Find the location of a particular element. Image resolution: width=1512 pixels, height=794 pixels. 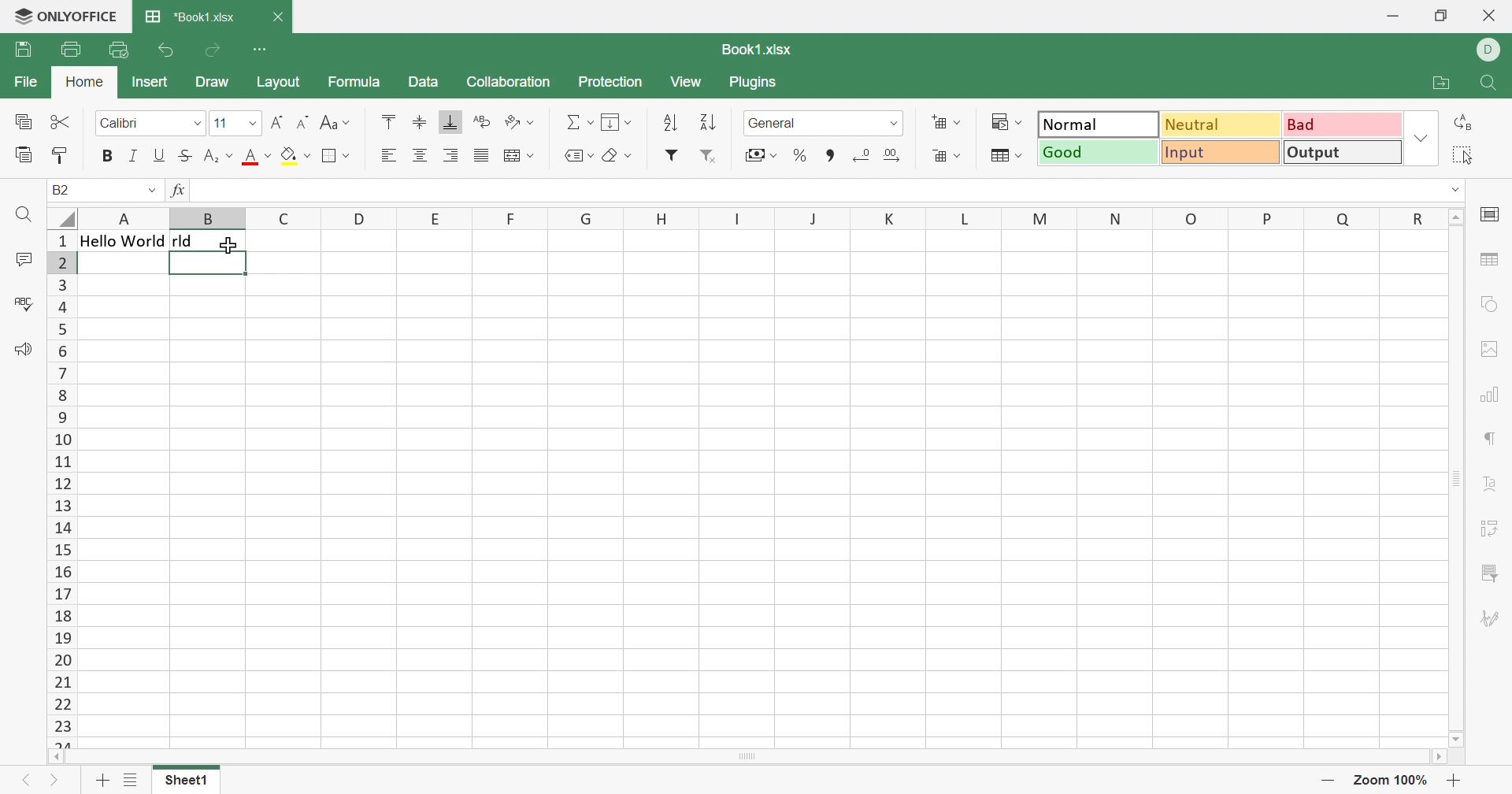

chart settings is located at coordinates (1488, 396).